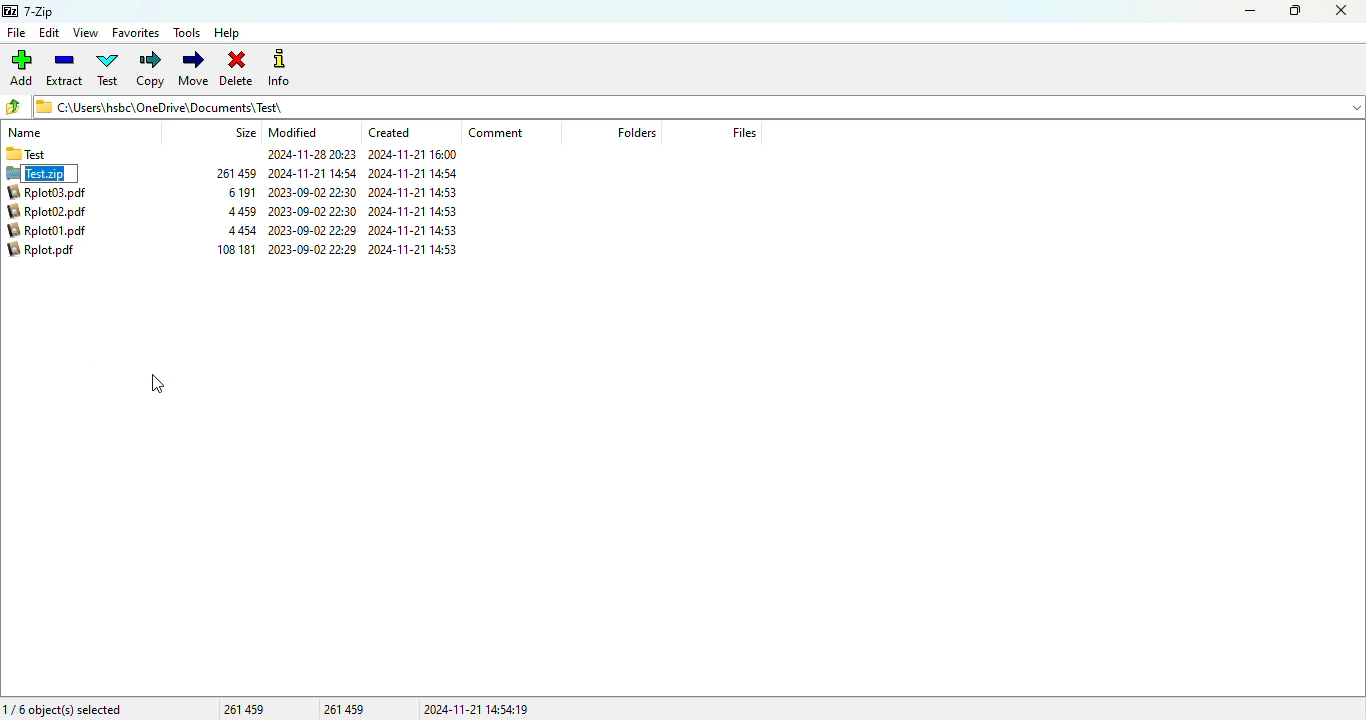 The height and width of the screenshot is (720, 1366). What do you see at coordinates (389, 132) in the screenshot?
I see `created` at bounding box center [389, 132].